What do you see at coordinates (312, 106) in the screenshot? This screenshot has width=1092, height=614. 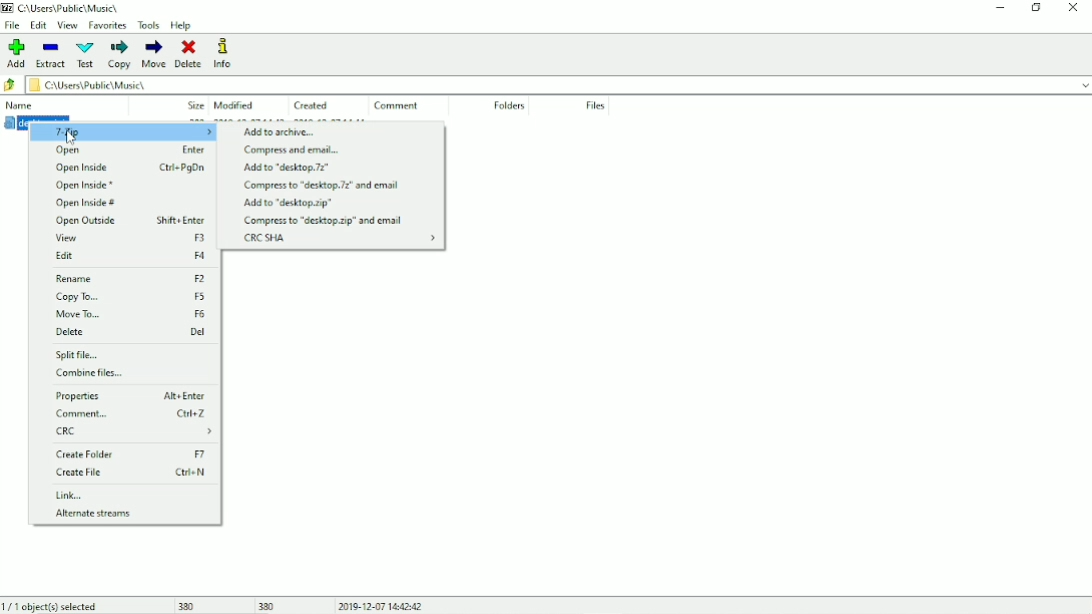 I see `Created` at bounding box center [312, 106].